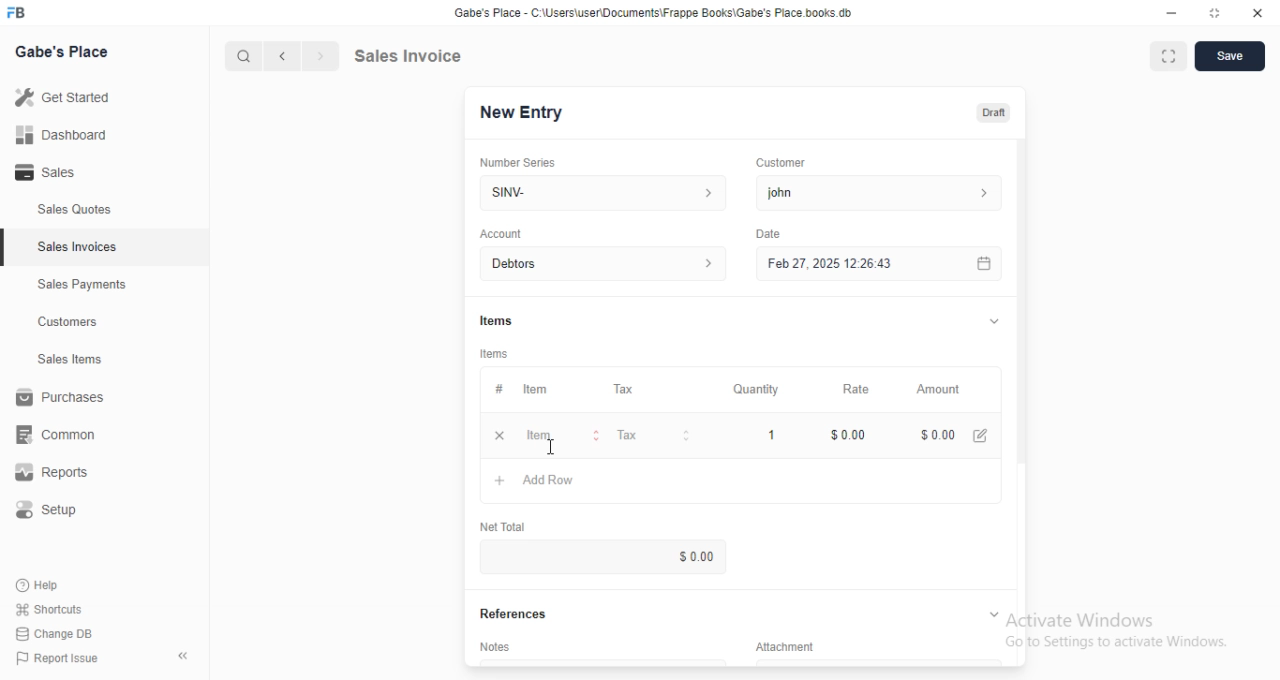  Describe the element at coordinates (181, 653) in the screenshot. I see `collapse` at that location.